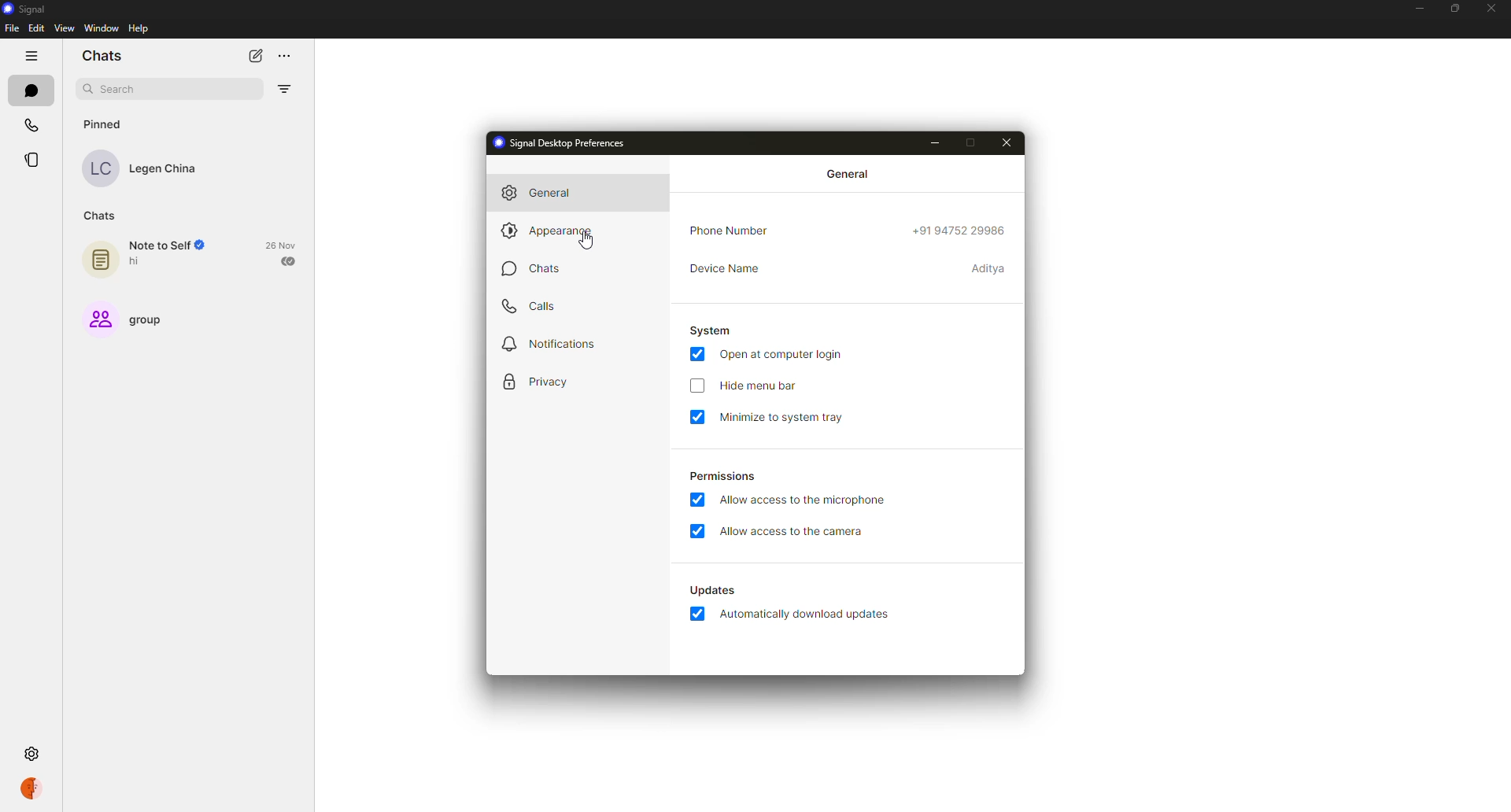 The height and width of the screenshot is (812, 1511). I want to click on sent, so click(289, 261).